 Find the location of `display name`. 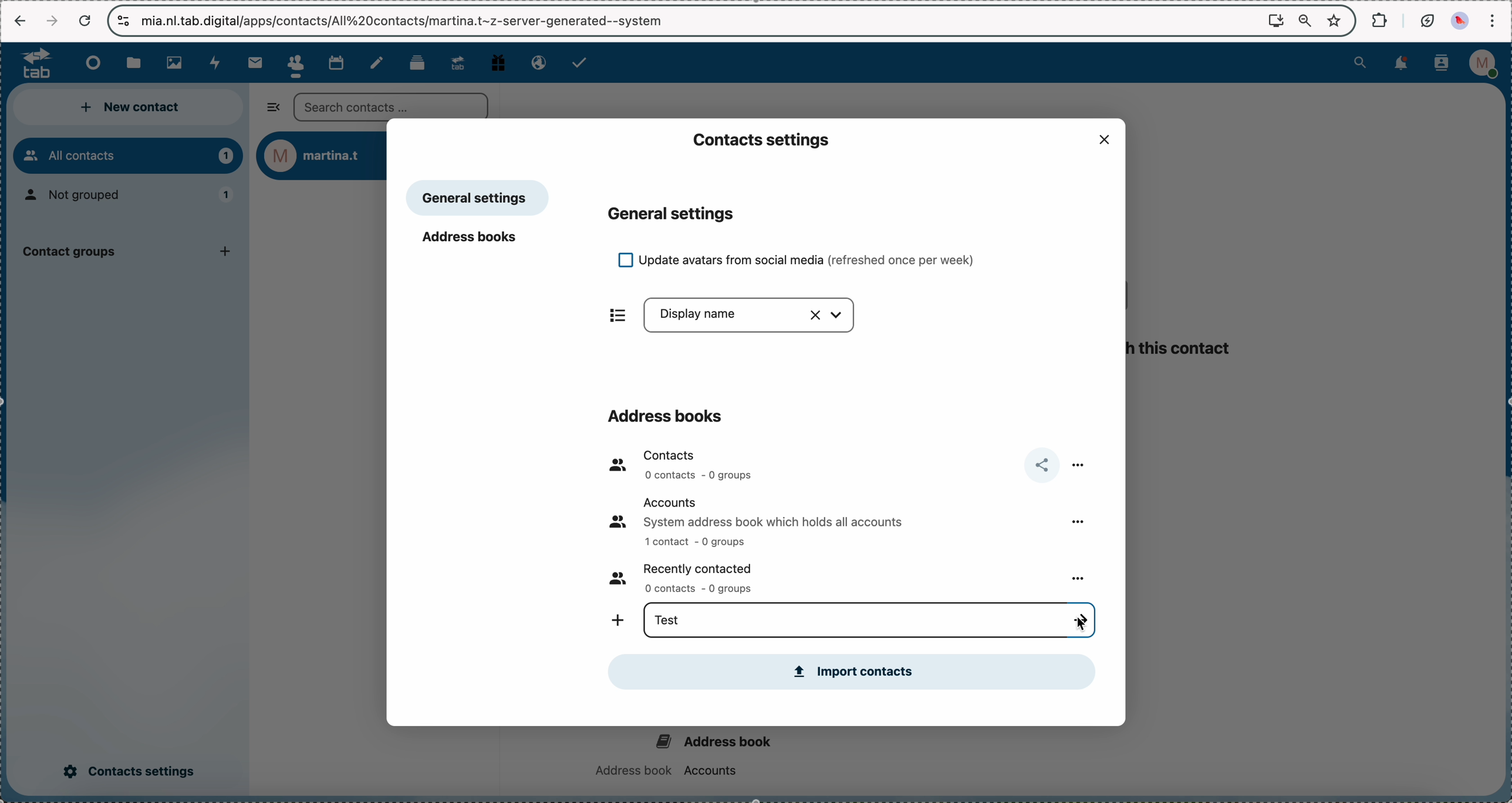

display name is located at coordinates (753, 317).